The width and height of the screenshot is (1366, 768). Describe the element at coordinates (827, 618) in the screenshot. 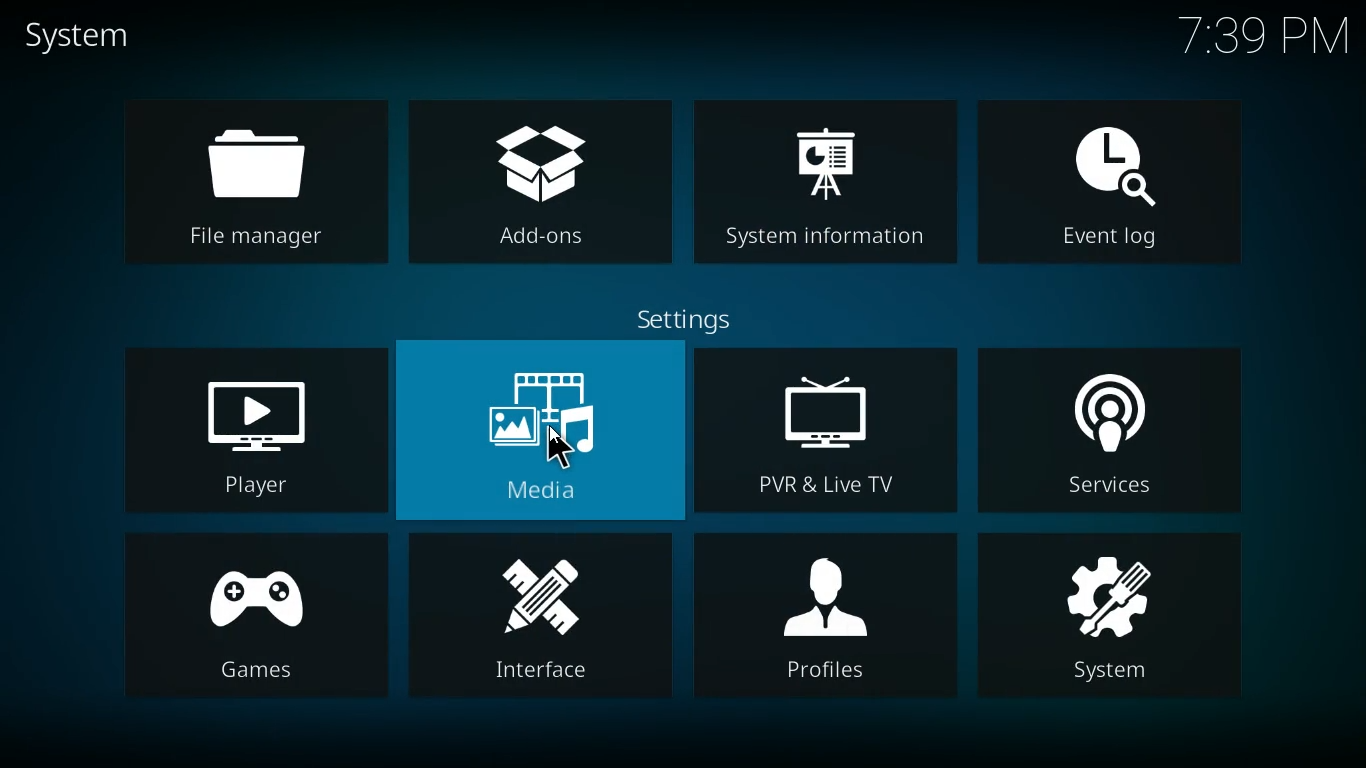

I see `profiles` at that location.